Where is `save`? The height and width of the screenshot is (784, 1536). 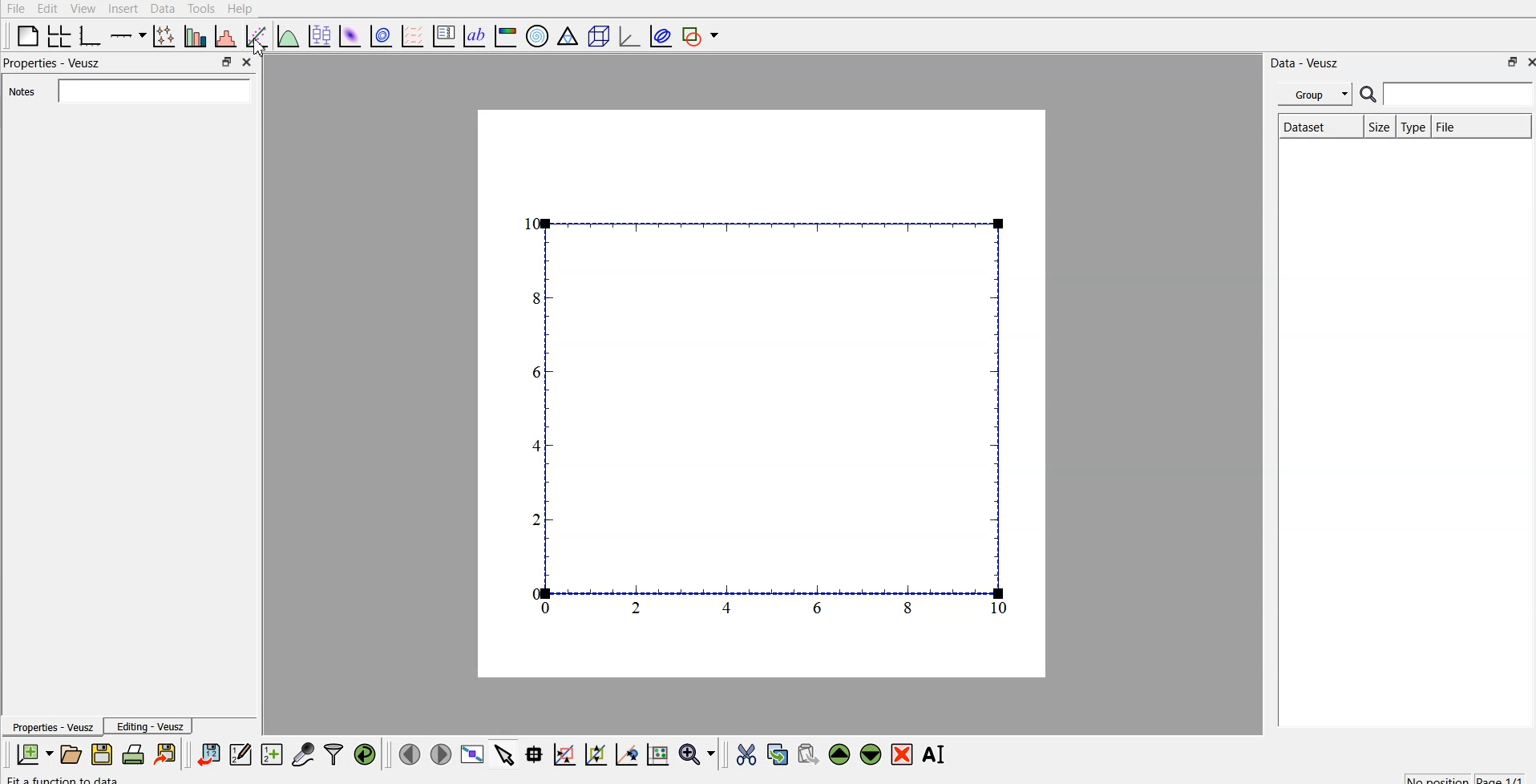
save is located at coordinates (102, 756).